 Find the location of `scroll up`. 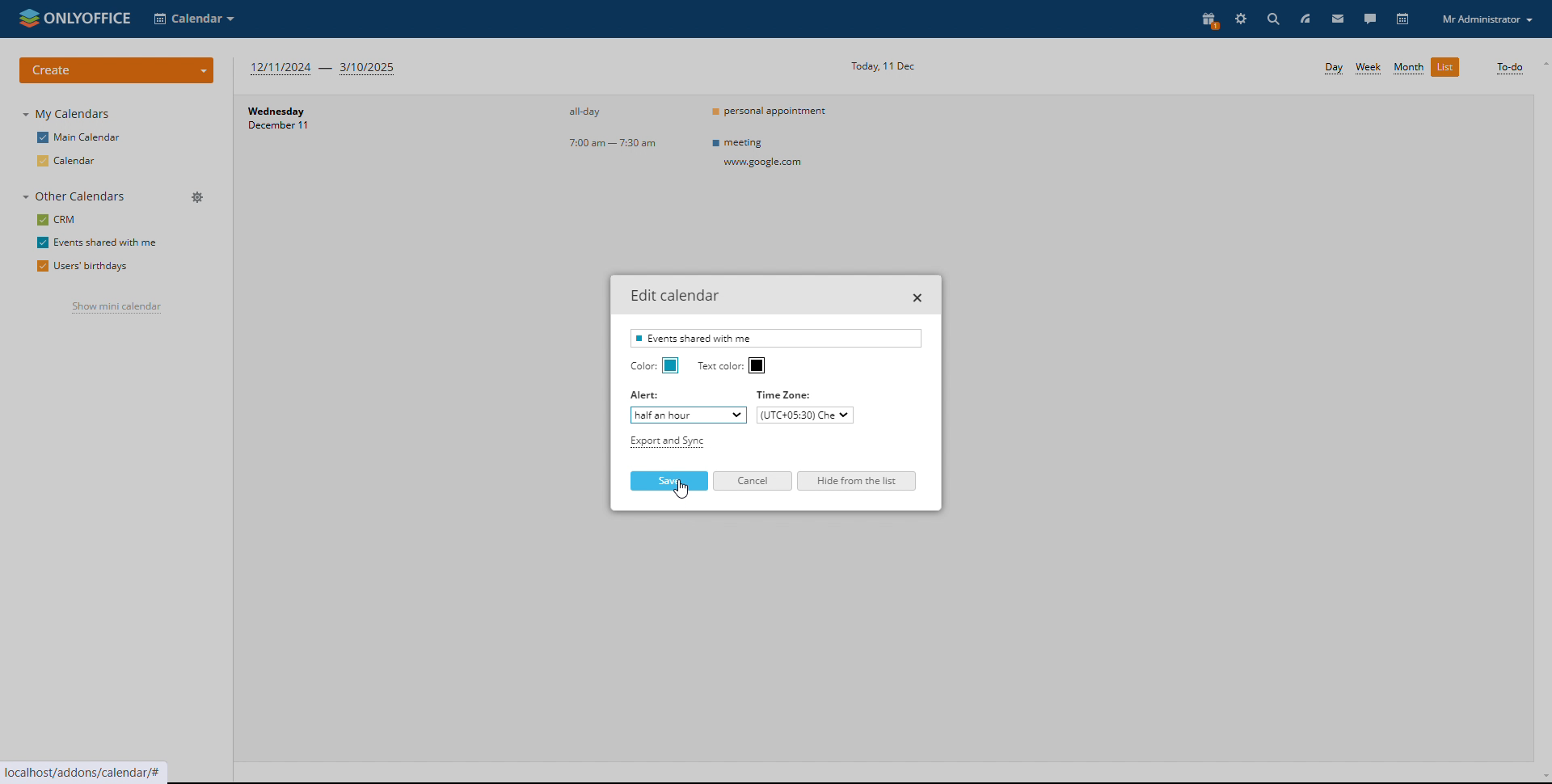

scroll up is located at coordinates (1542, 64).